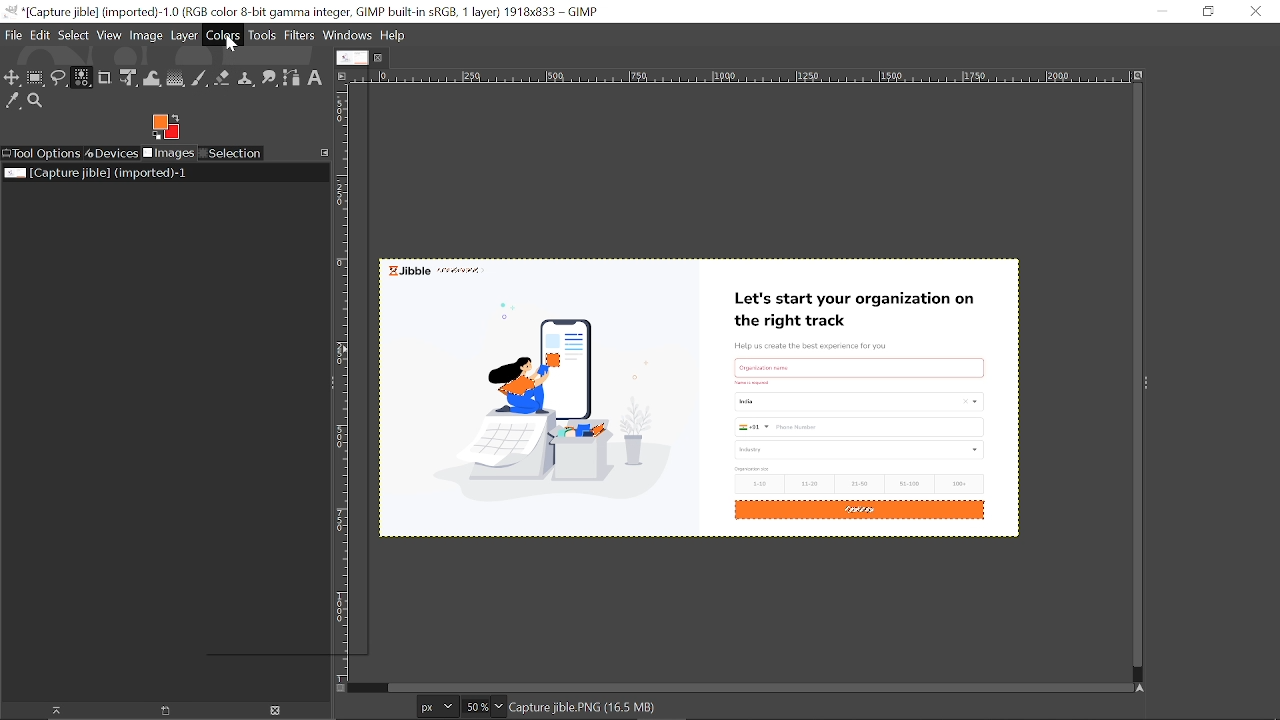  What do you see at coordinates (277, 711) in the screenshot?
I see `Delete image` at bounding box center [277, 711].